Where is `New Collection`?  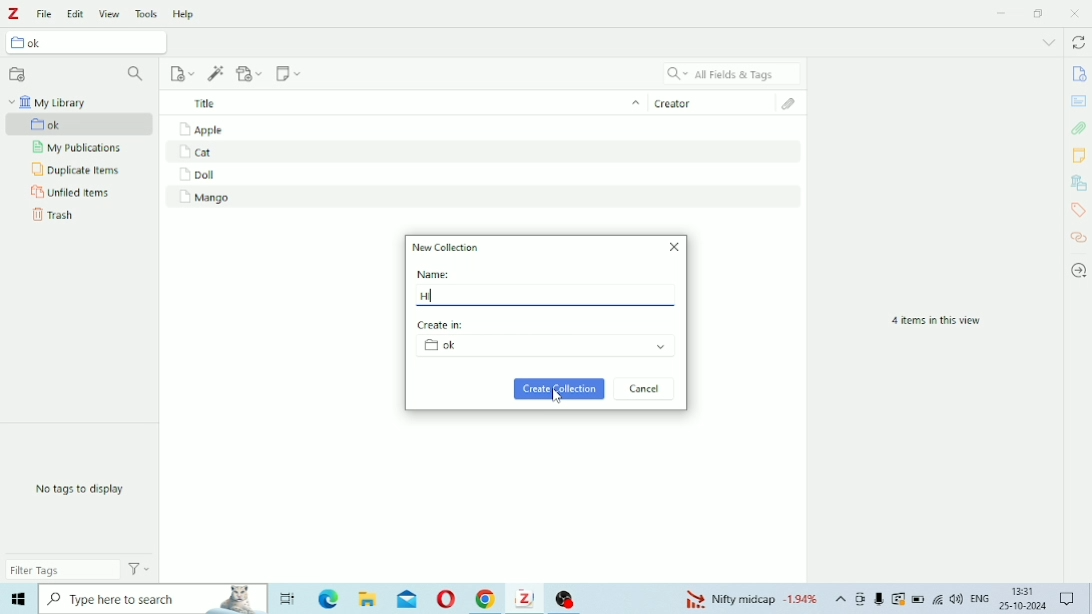 New Collection is located at coordinates (448, 246).